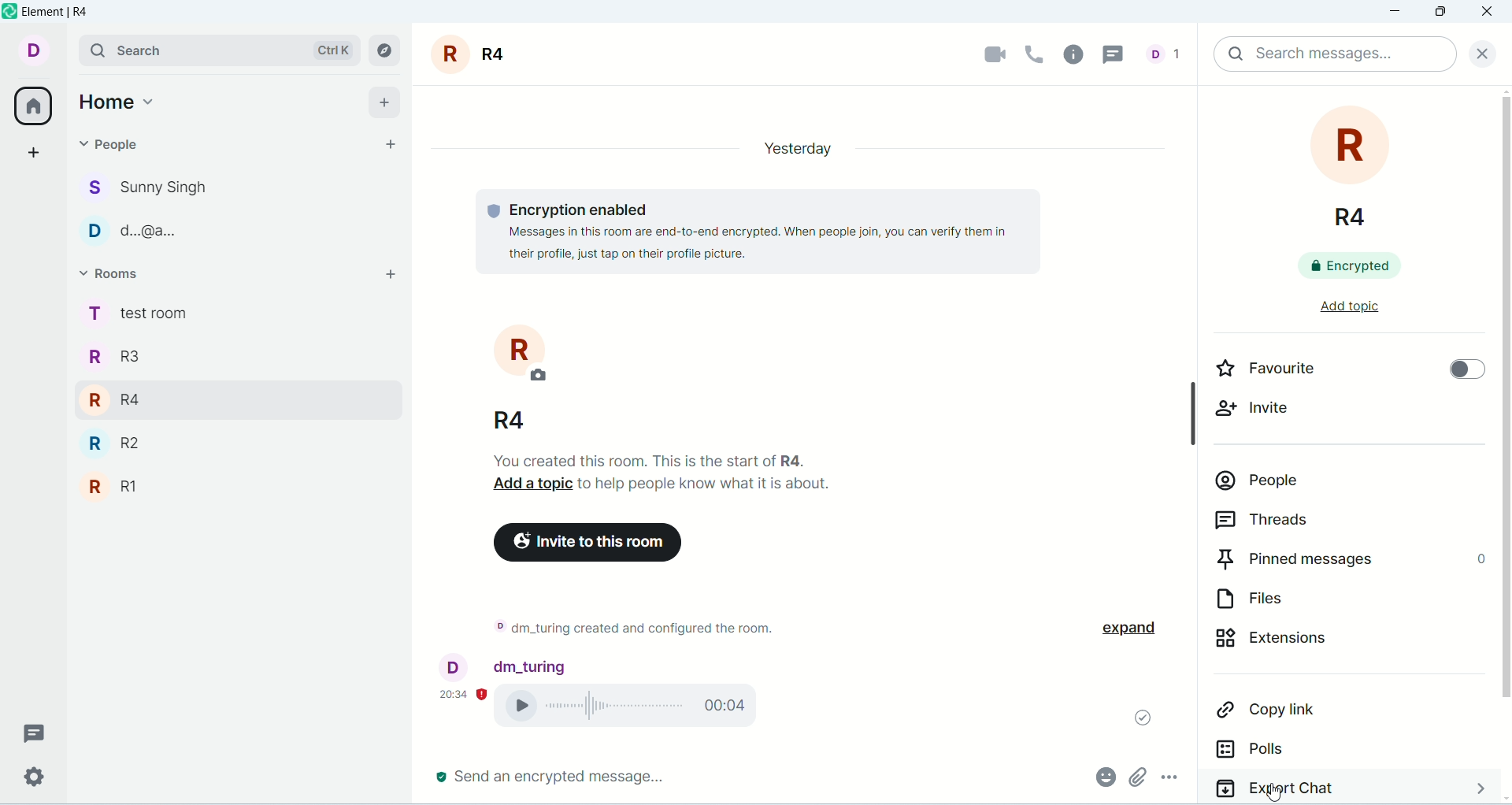 The width and height of the screenshot is (1512, 805). I want to click on files, so click(1313, 599).